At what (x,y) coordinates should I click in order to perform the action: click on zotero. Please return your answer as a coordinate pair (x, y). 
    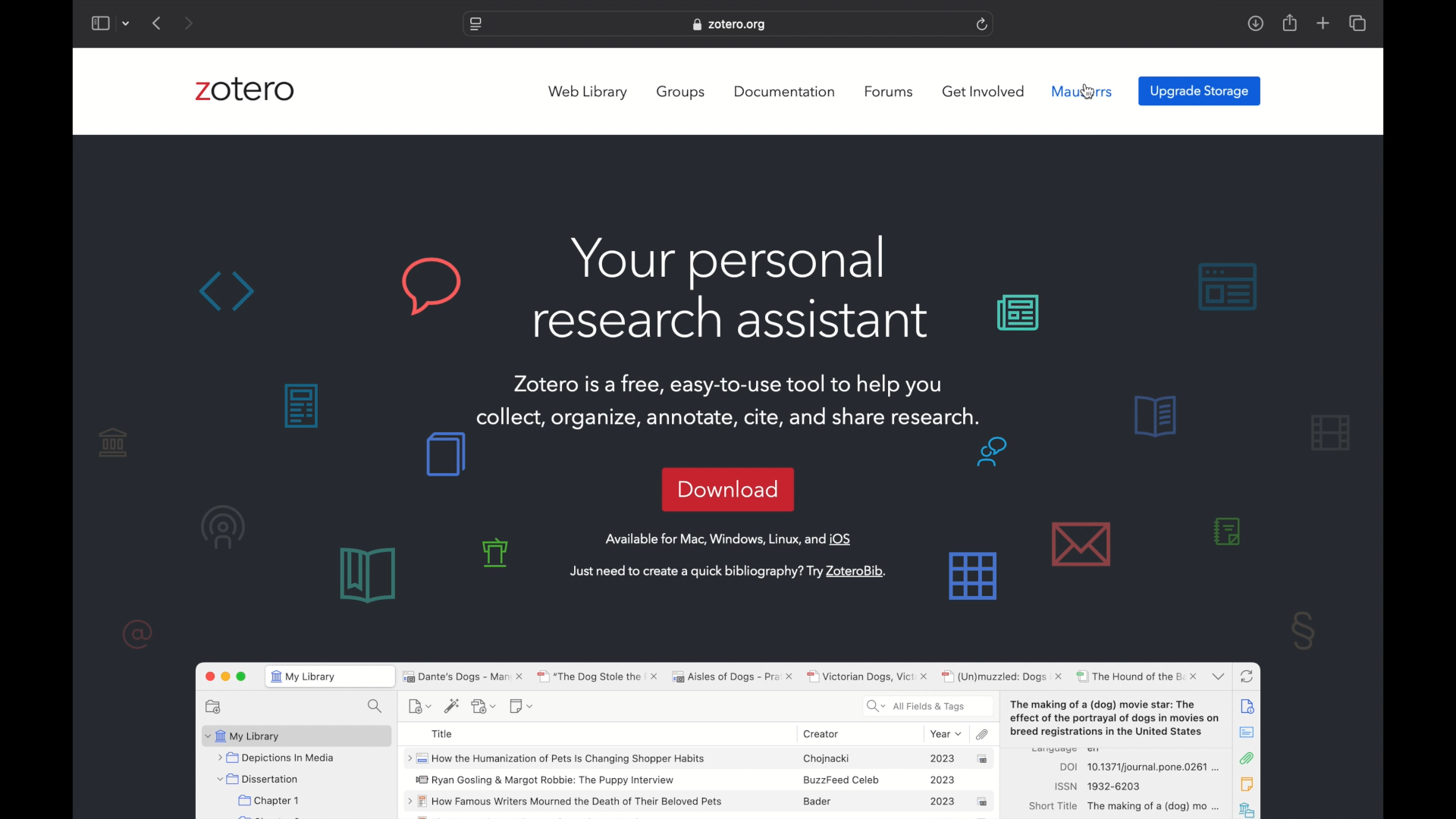
    Looking at the image, I should click on (245, 90).